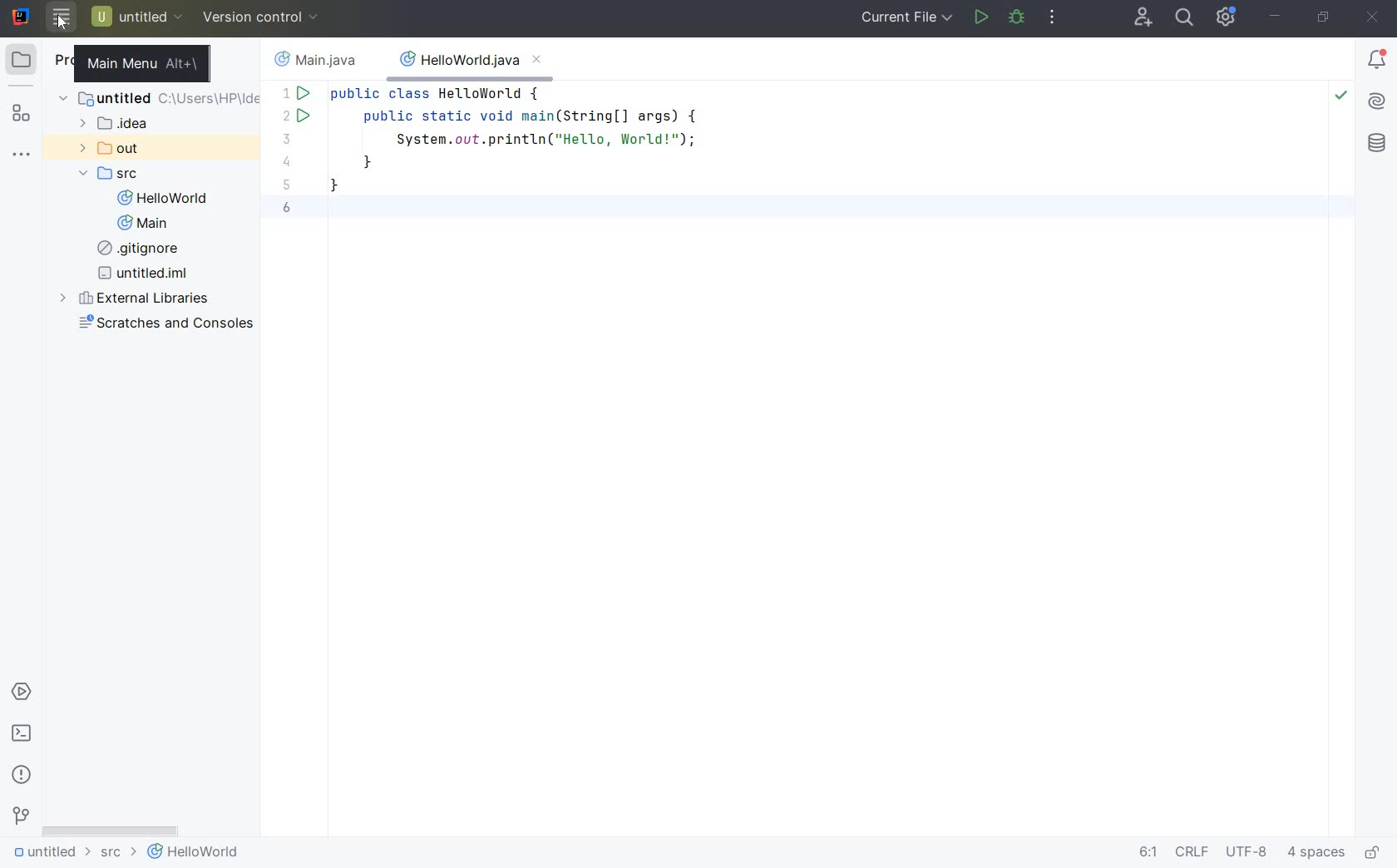 The height and width of the screenshot is (868, 1397). What do you see at coordinates (62, 21) in the screenshot?
I see `cursor` at bounding box center [62, 21].